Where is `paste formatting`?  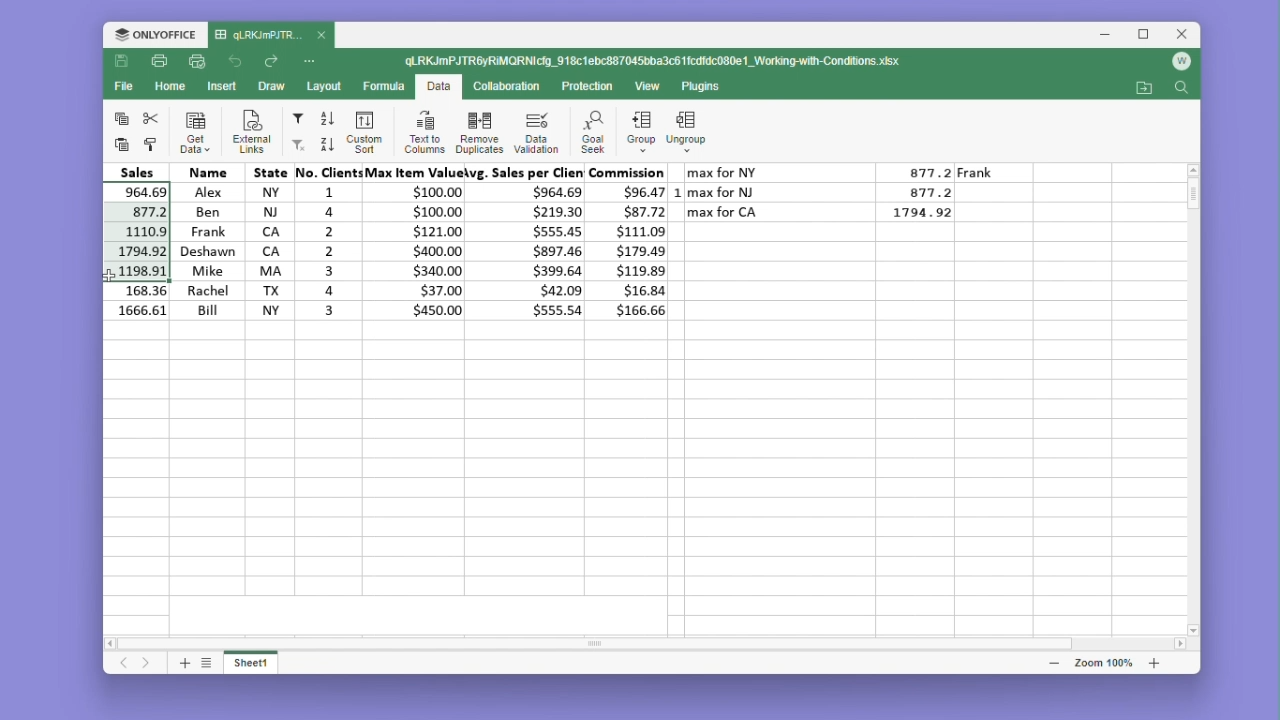 paste formatting is located at coordinates (151, 145).